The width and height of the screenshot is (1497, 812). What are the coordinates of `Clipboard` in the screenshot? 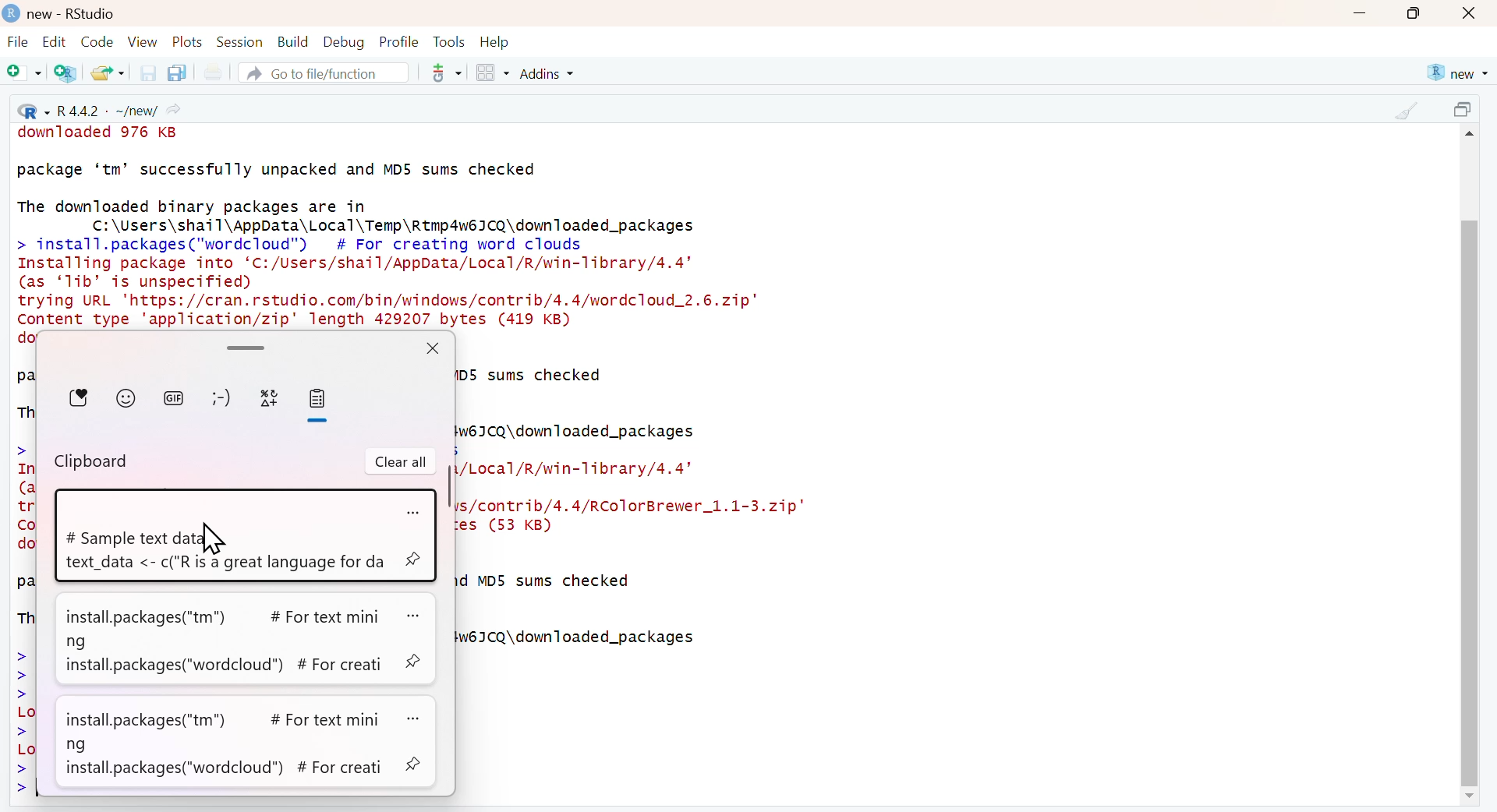 It's located at (88, 461).